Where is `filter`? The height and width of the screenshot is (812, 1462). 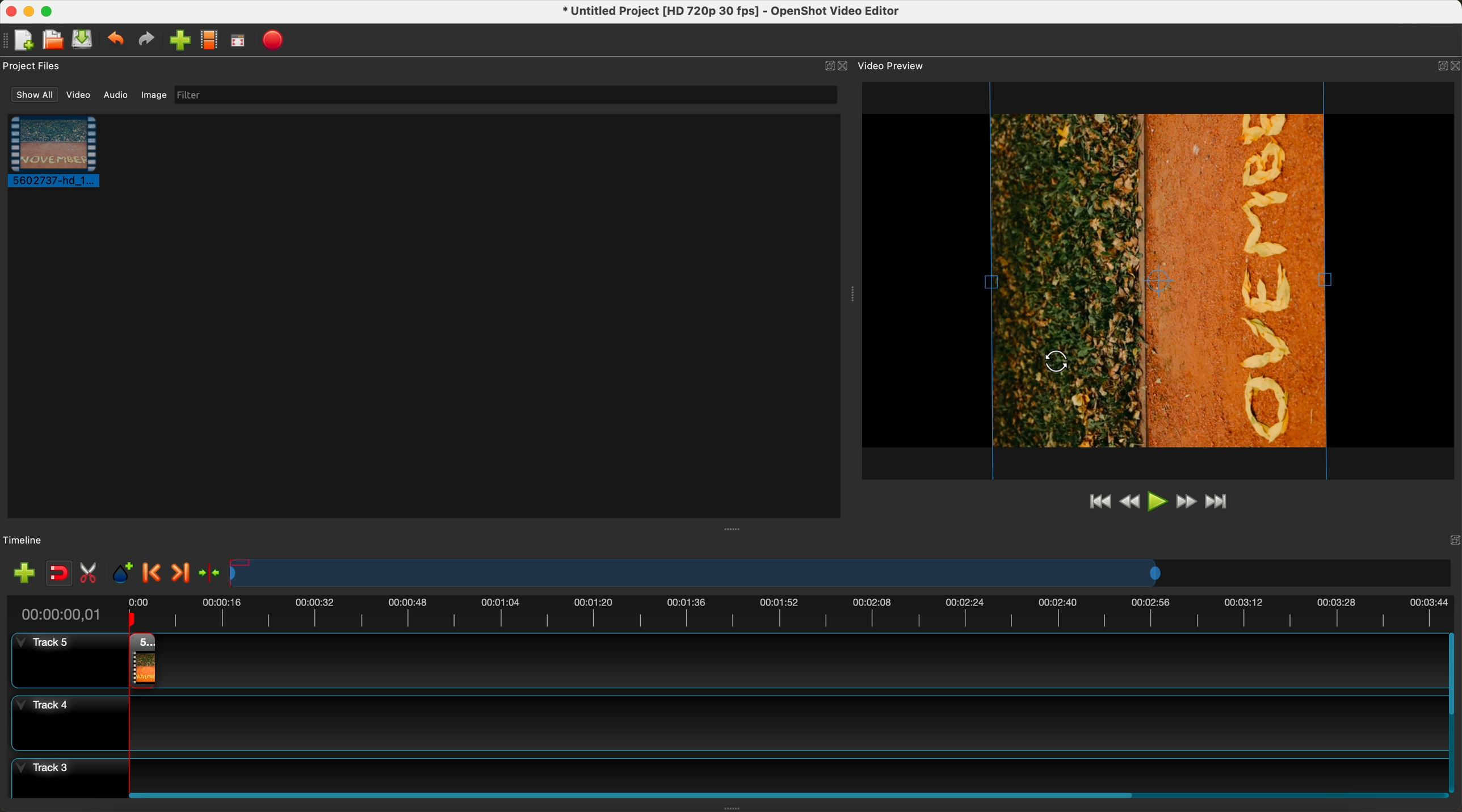
filter is located at coordinates (505, 95).